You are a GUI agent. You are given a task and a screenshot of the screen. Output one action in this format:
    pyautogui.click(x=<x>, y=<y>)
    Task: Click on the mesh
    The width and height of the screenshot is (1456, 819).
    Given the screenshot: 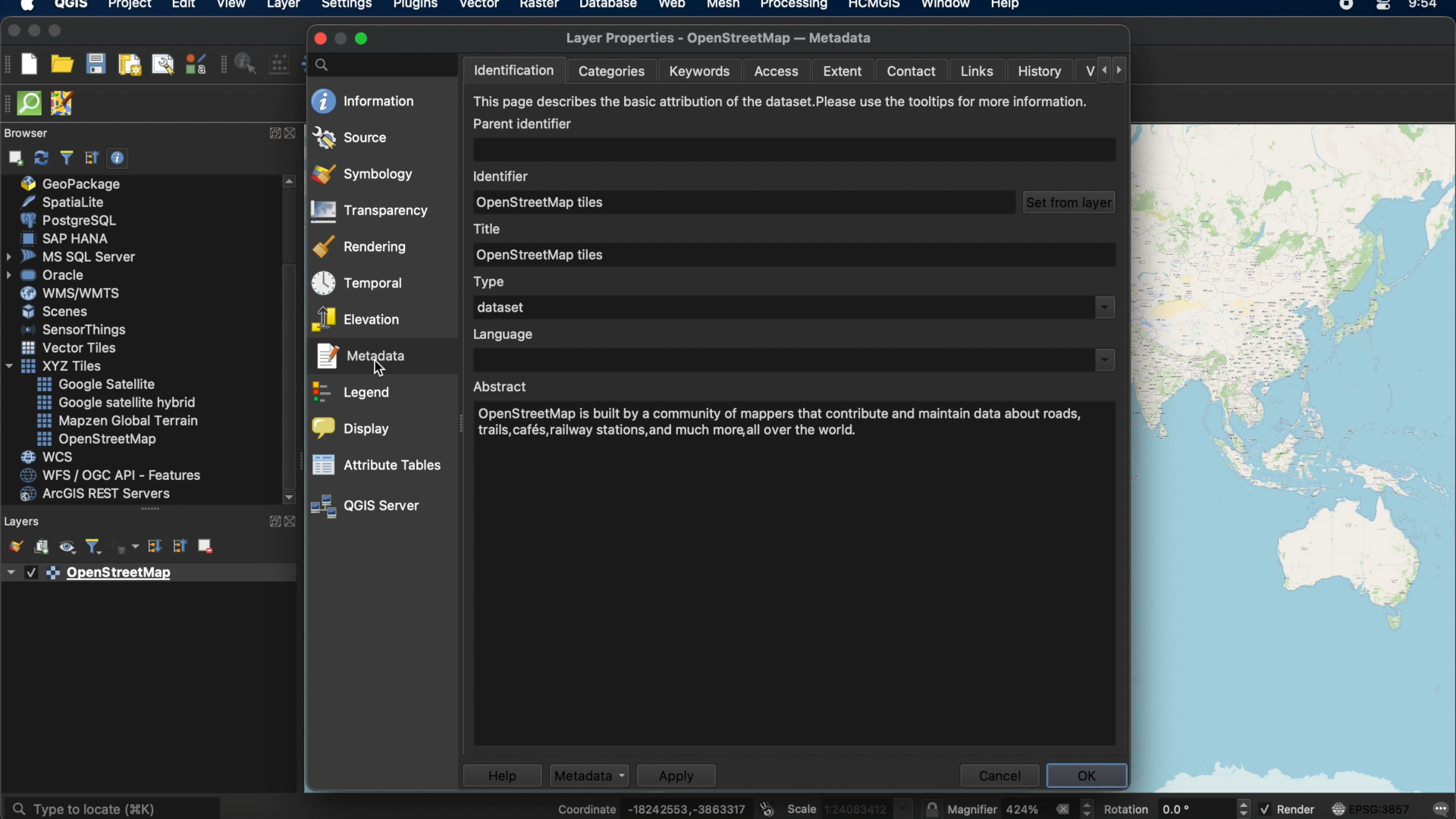 What is the action you would take?
    pyautogui.click(x=722, y=6)
    